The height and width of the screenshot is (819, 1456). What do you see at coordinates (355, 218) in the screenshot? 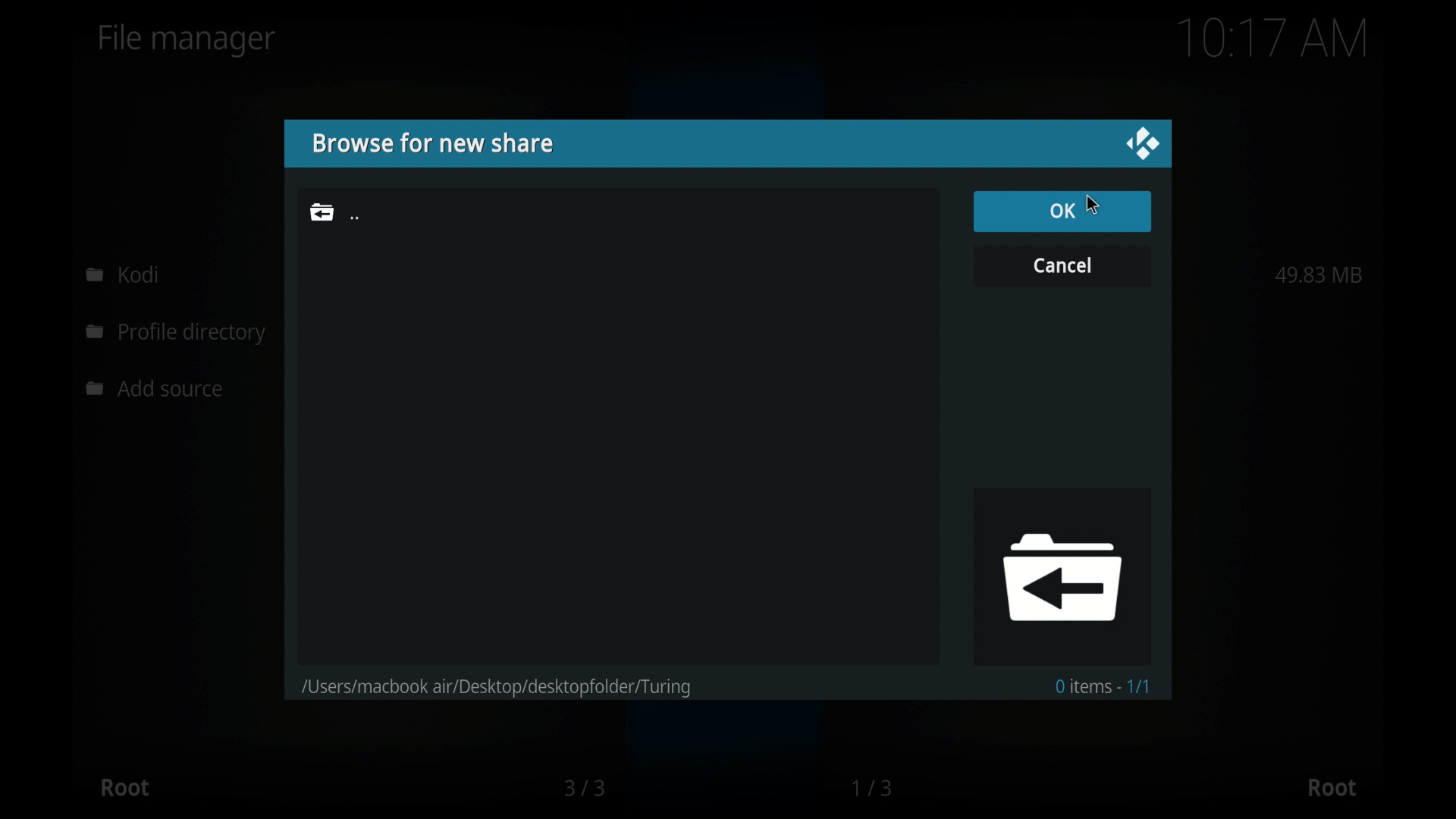
I see `dots icon` at bounding box center [355, 218].